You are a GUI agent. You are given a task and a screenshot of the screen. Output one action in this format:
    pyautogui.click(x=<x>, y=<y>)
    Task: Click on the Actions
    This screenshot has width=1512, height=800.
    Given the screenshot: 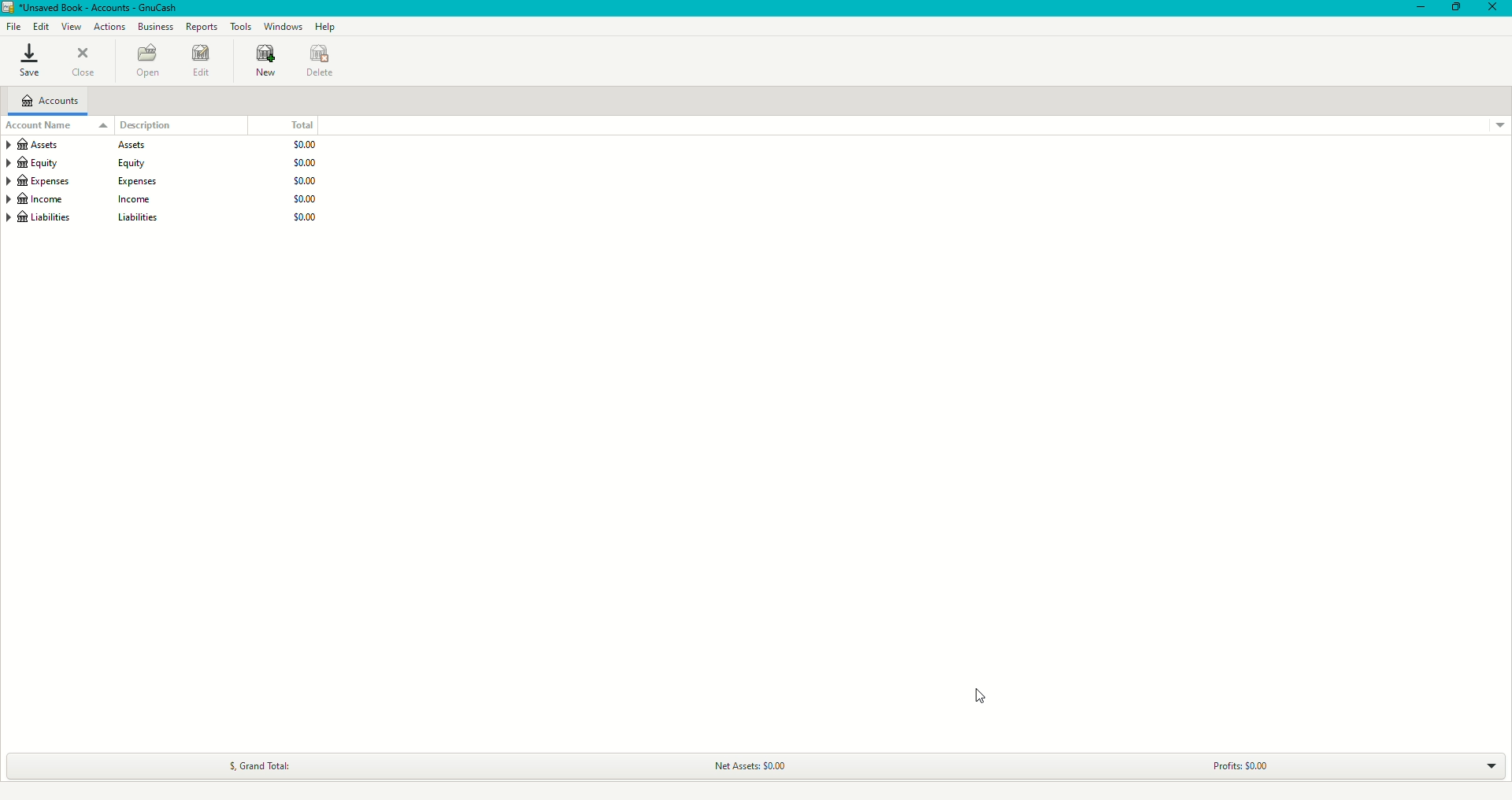 What is the action you would take?
    pyautogui.click(x=108, y=28)
    